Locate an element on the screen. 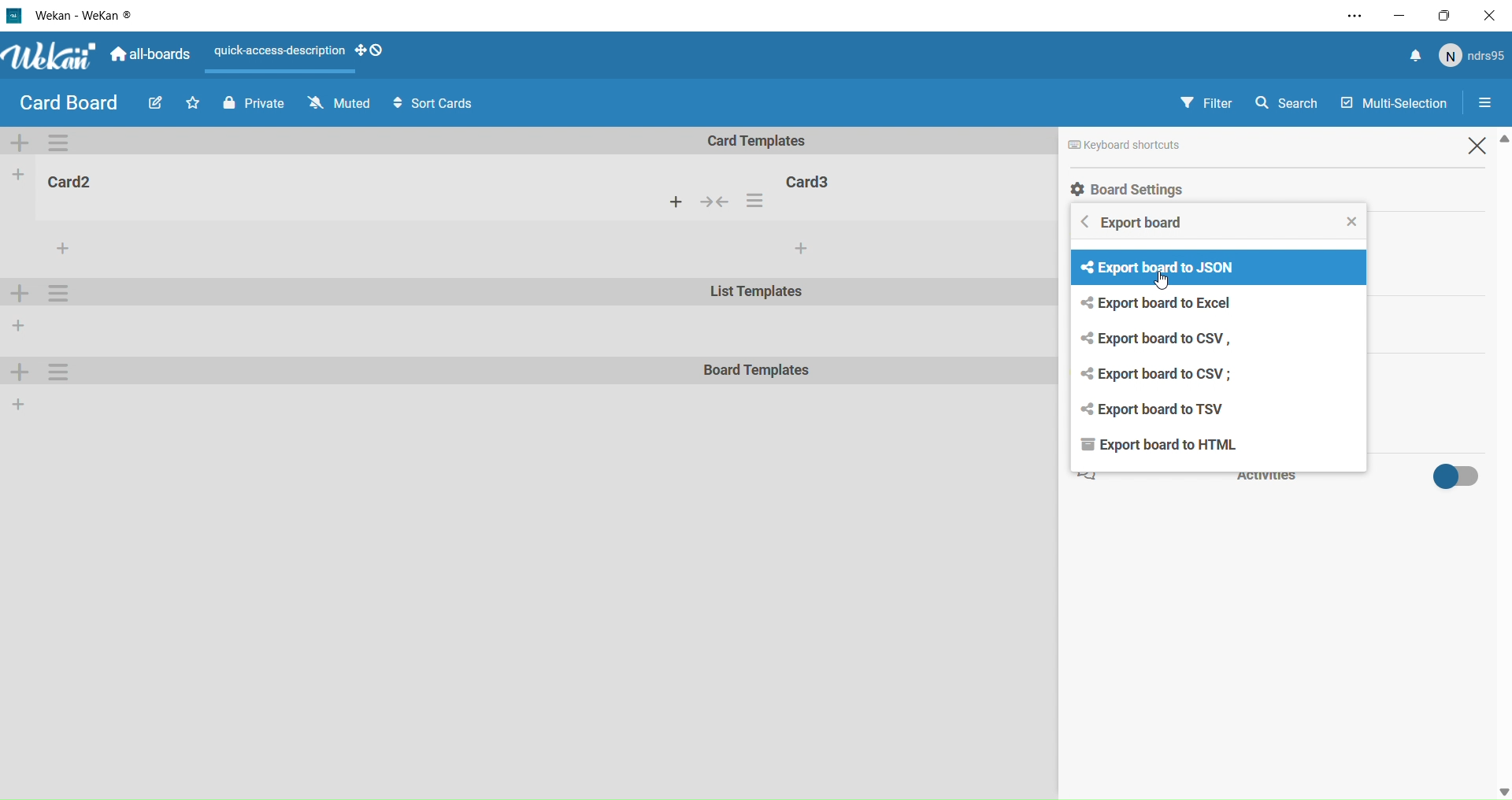  Export HTML is located at coordinates (1154, 447).